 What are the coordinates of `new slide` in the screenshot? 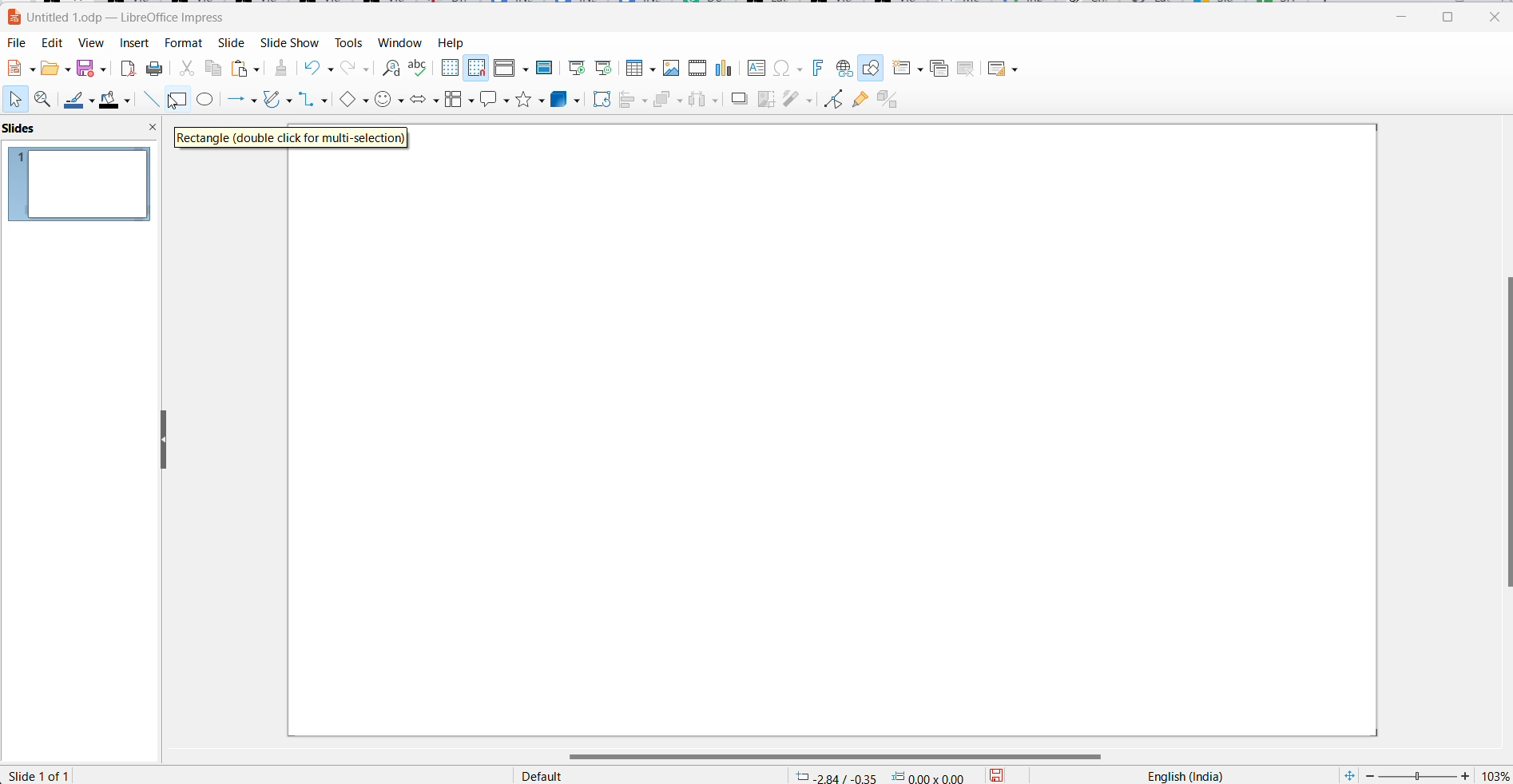 It's located at (908, 69).